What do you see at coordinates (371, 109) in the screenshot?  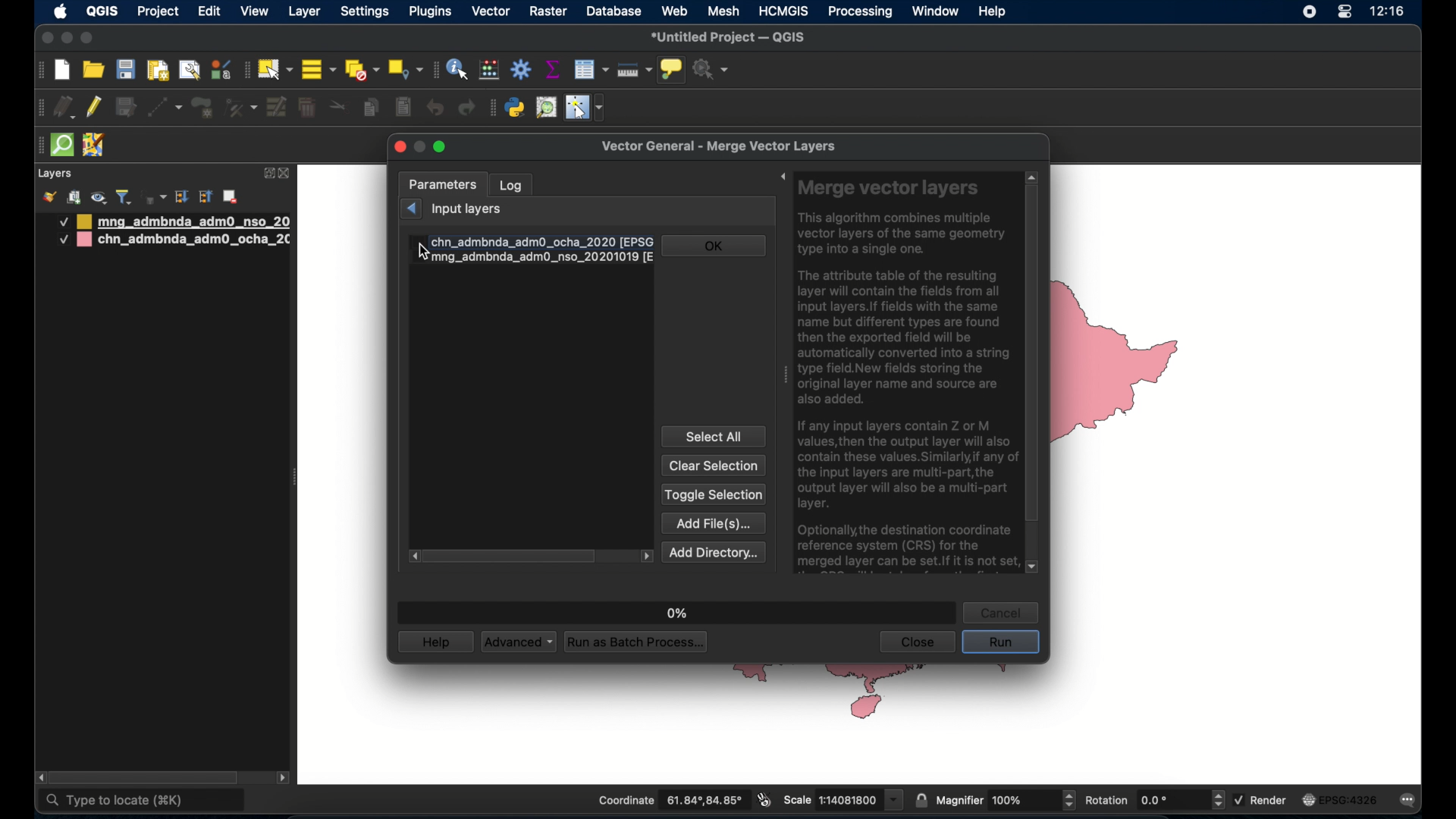 I see `copy features` at bounding box center [371, 109].